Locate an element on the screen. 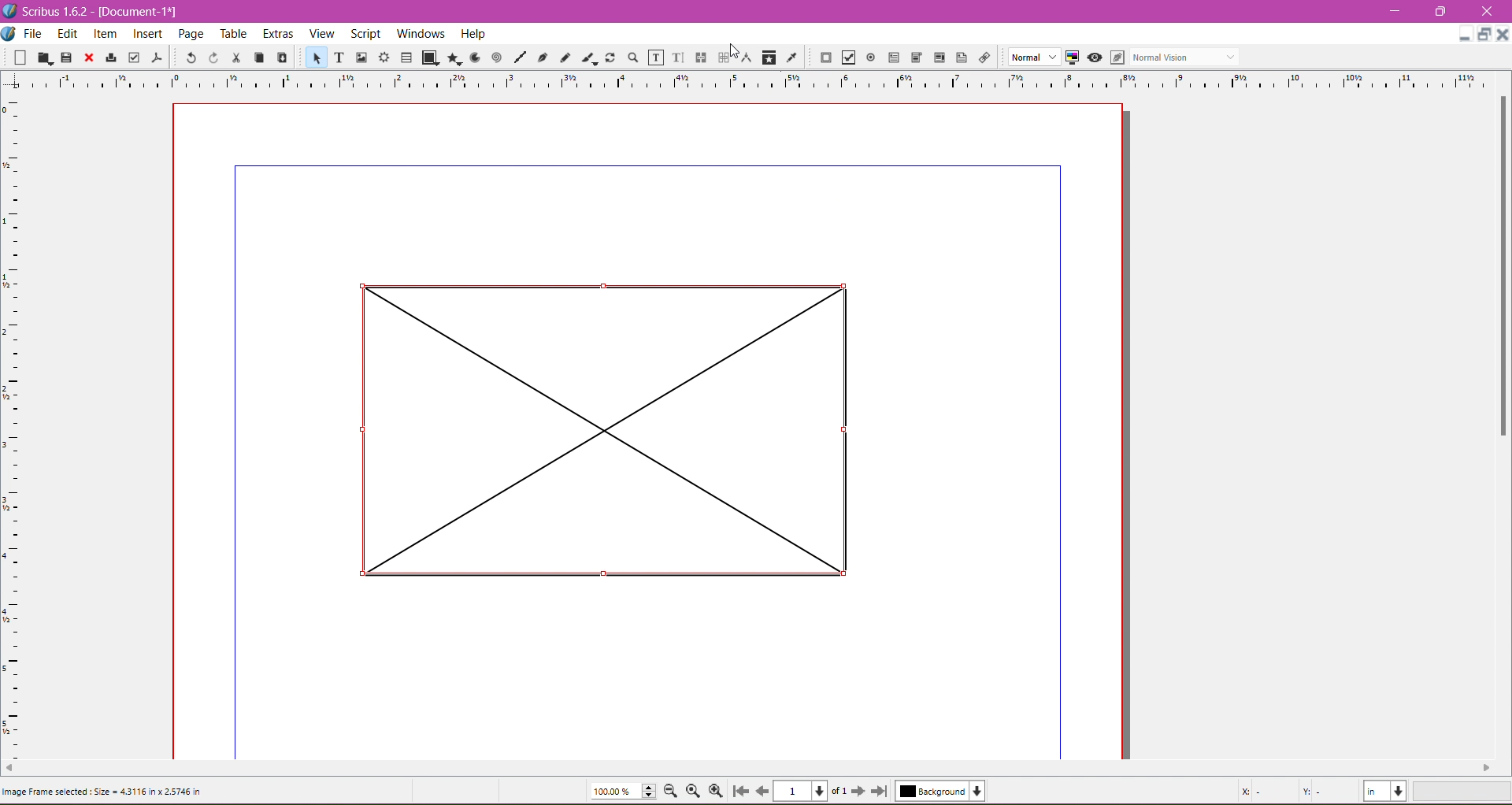 This screenshot has height=805, width=1512. Extras is located at coordinates (278, 34).